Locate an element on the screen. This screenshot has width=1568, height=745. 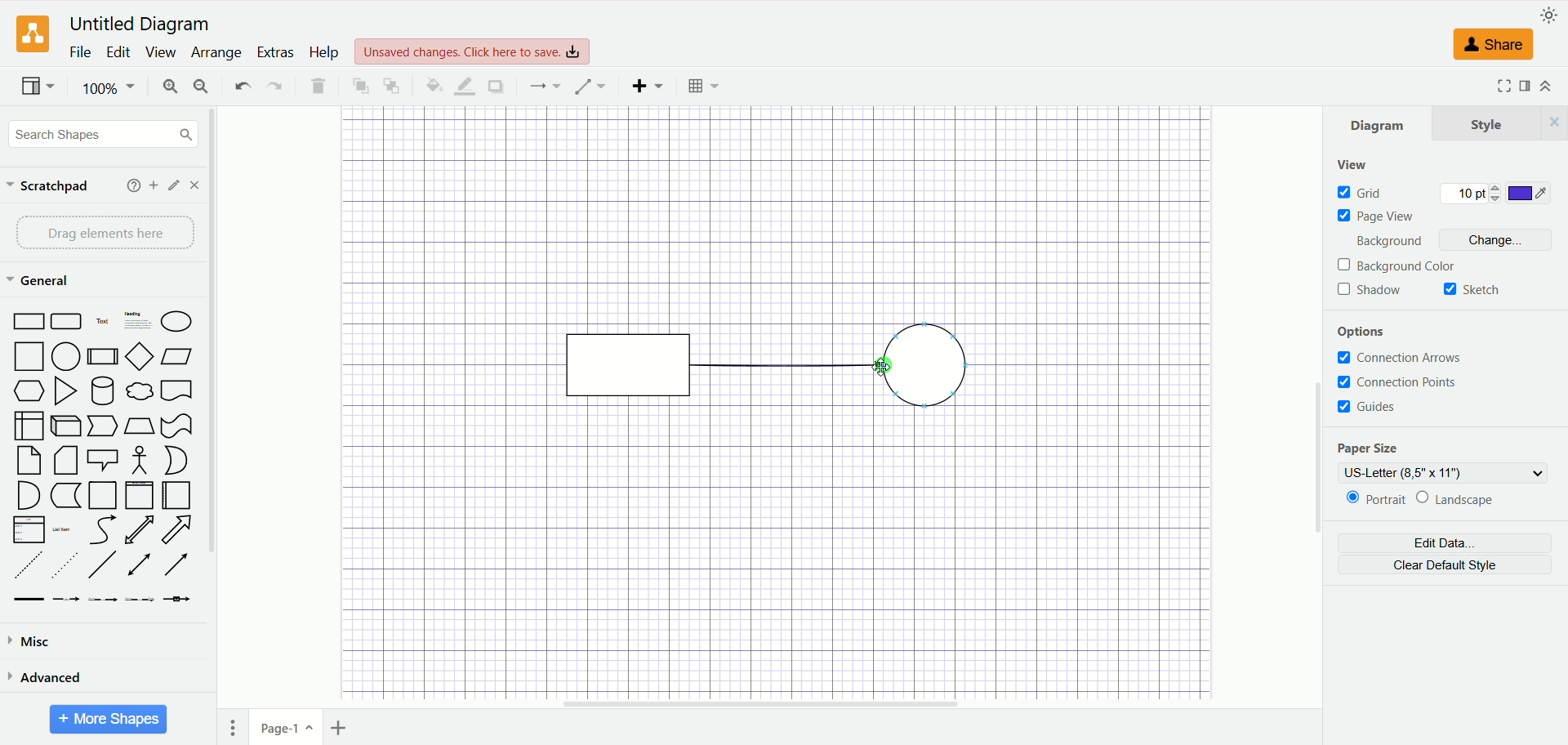
List Item is located at coordinates (64, 530).